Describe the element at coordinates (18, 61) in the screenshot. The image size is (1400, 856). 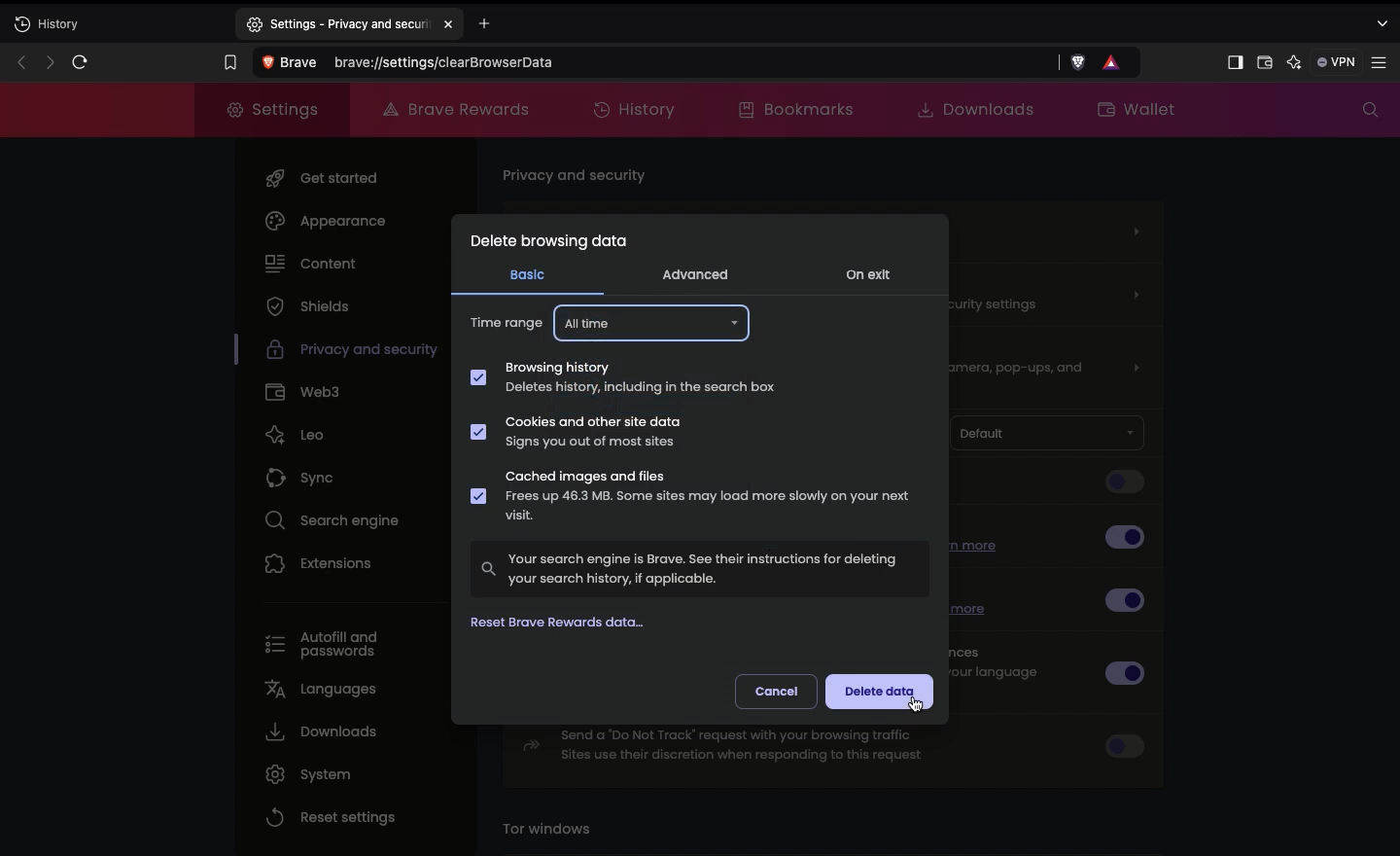
I see `Previous page` at that location.